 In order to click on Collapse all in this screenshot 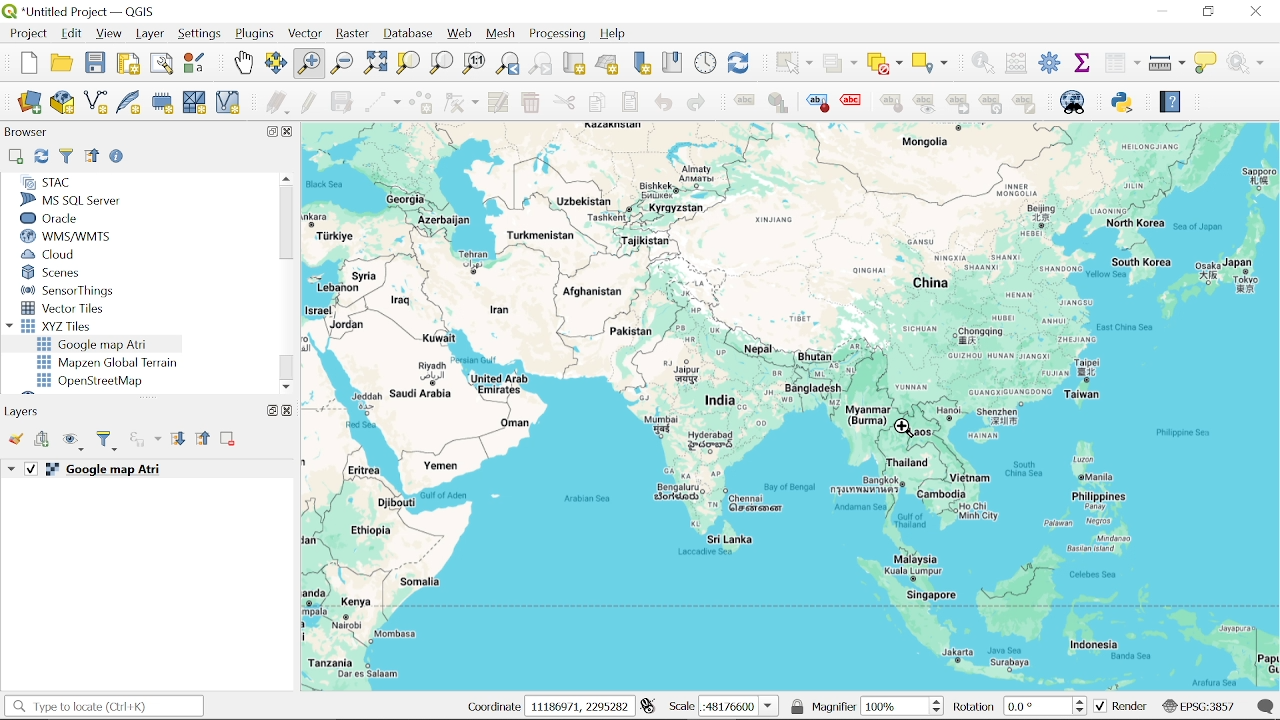, I will do `click(92, 155)`.